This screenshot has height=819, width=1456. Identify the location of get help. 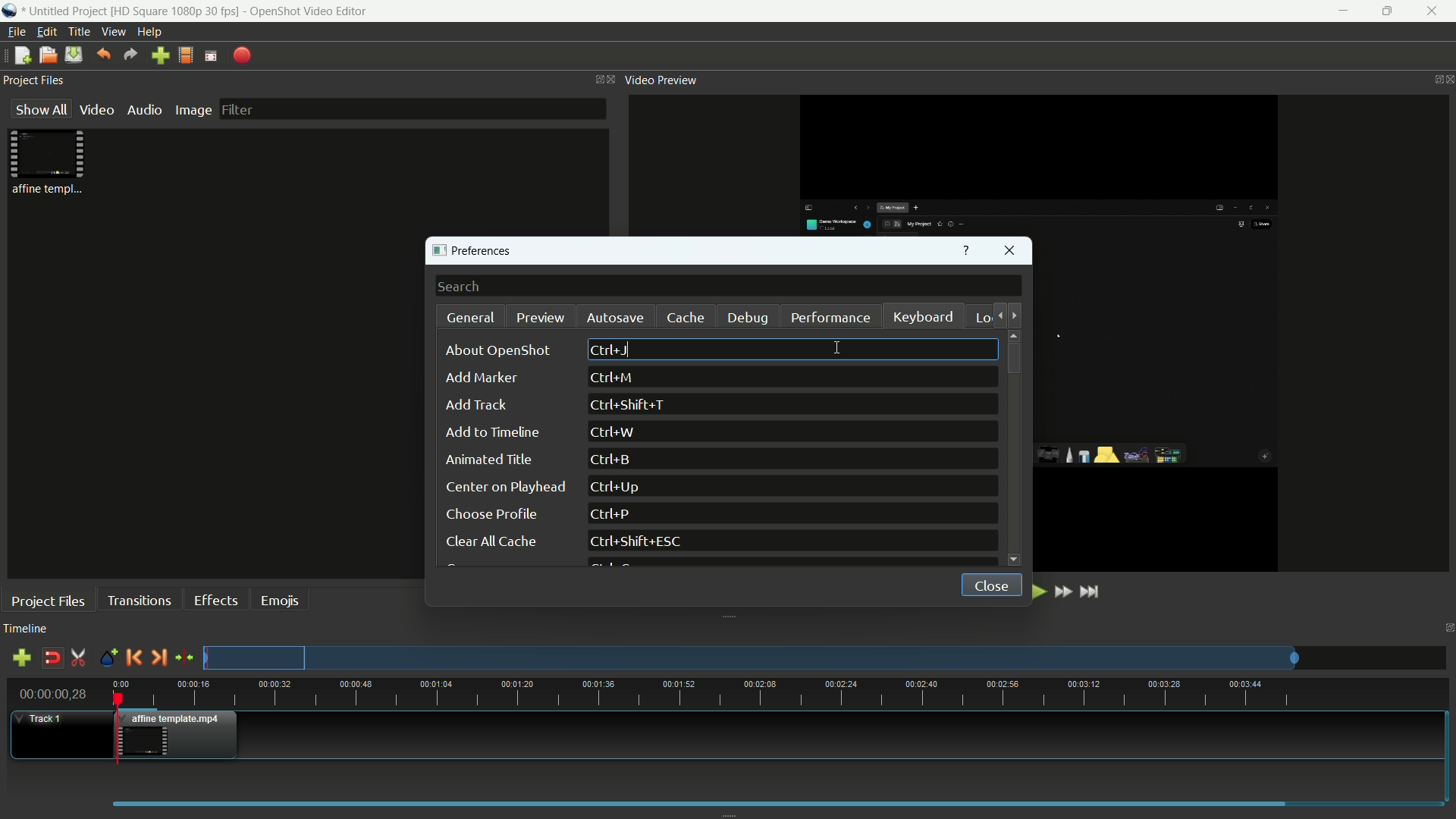
(966, 252).